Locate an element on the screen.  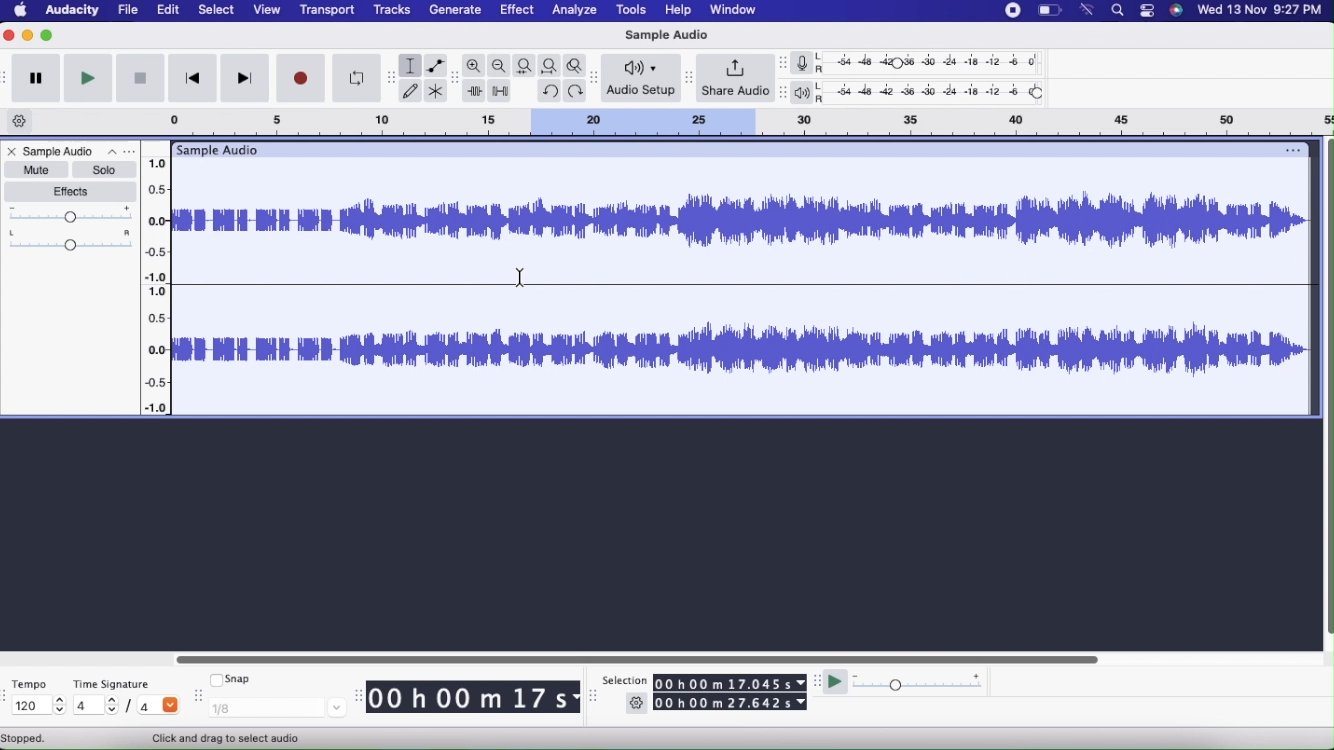
Time signature is located at coordinates (118, 680).